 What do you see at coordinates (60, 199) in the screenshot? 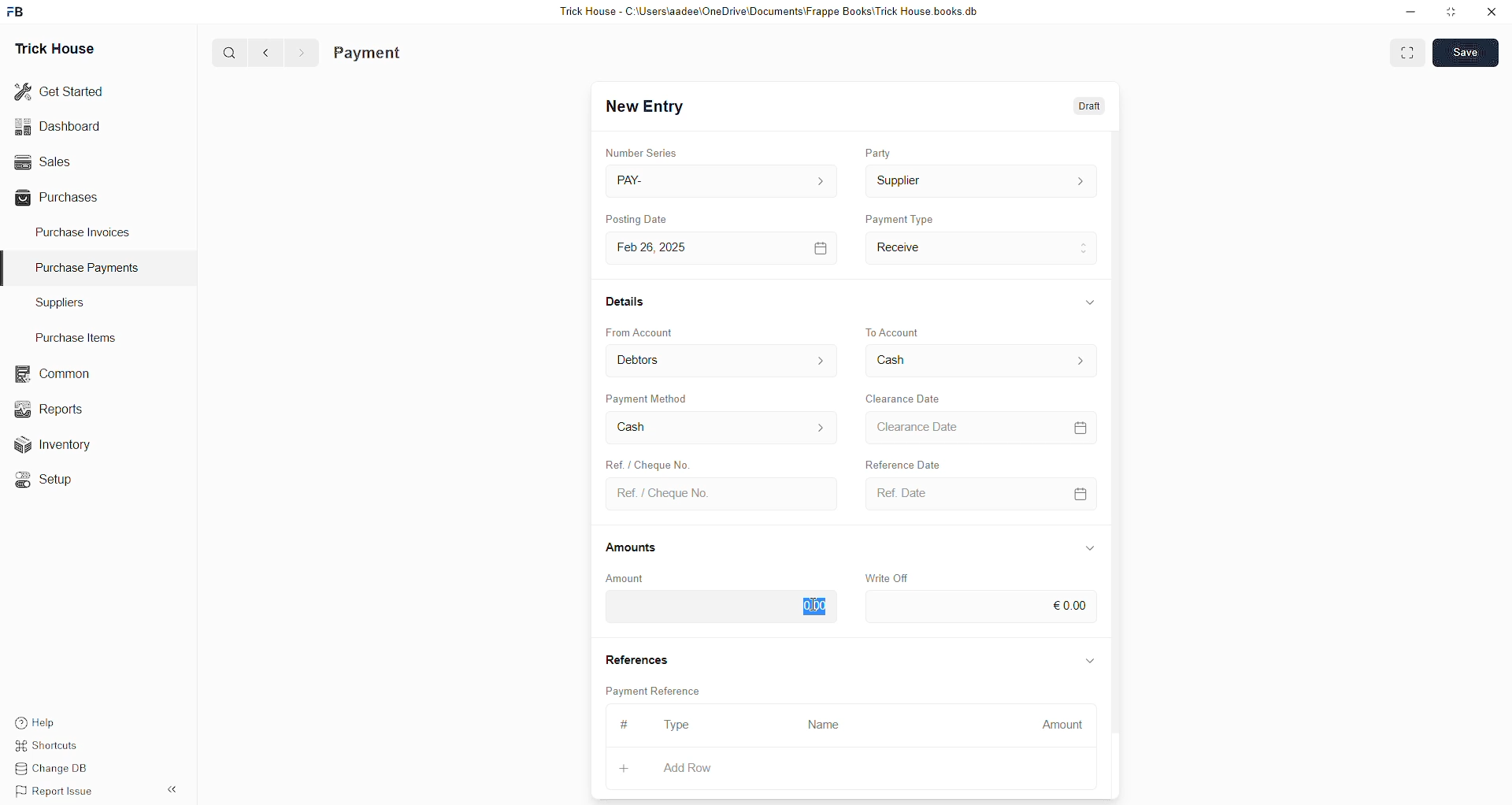
I see `Purchases` at bounding box center [60, 199].